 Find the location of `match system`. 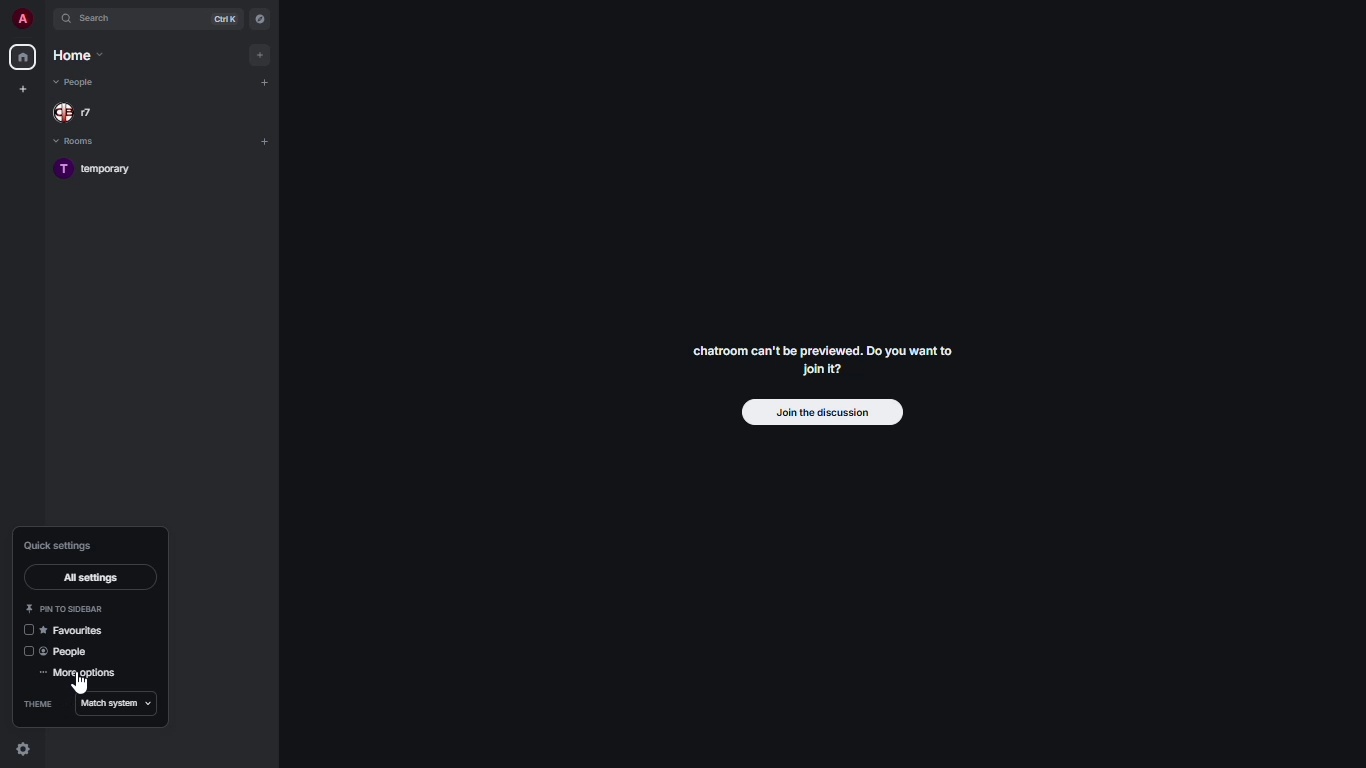

match system is located at coordinates (113, 705).